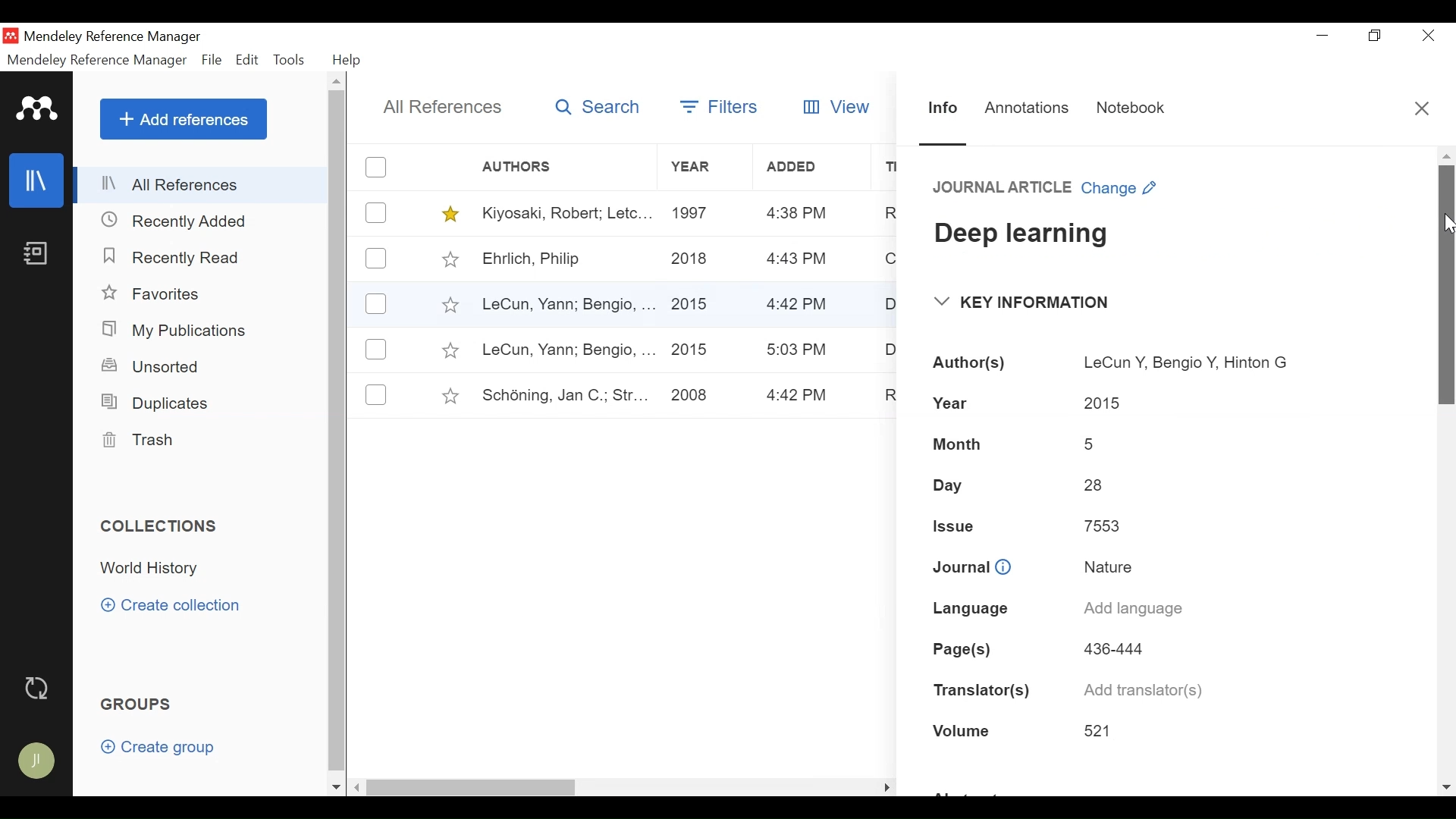 Image resolution: width=1456 pixels, height=819 pixels. I want to click on Notebook, so click(35, 255).